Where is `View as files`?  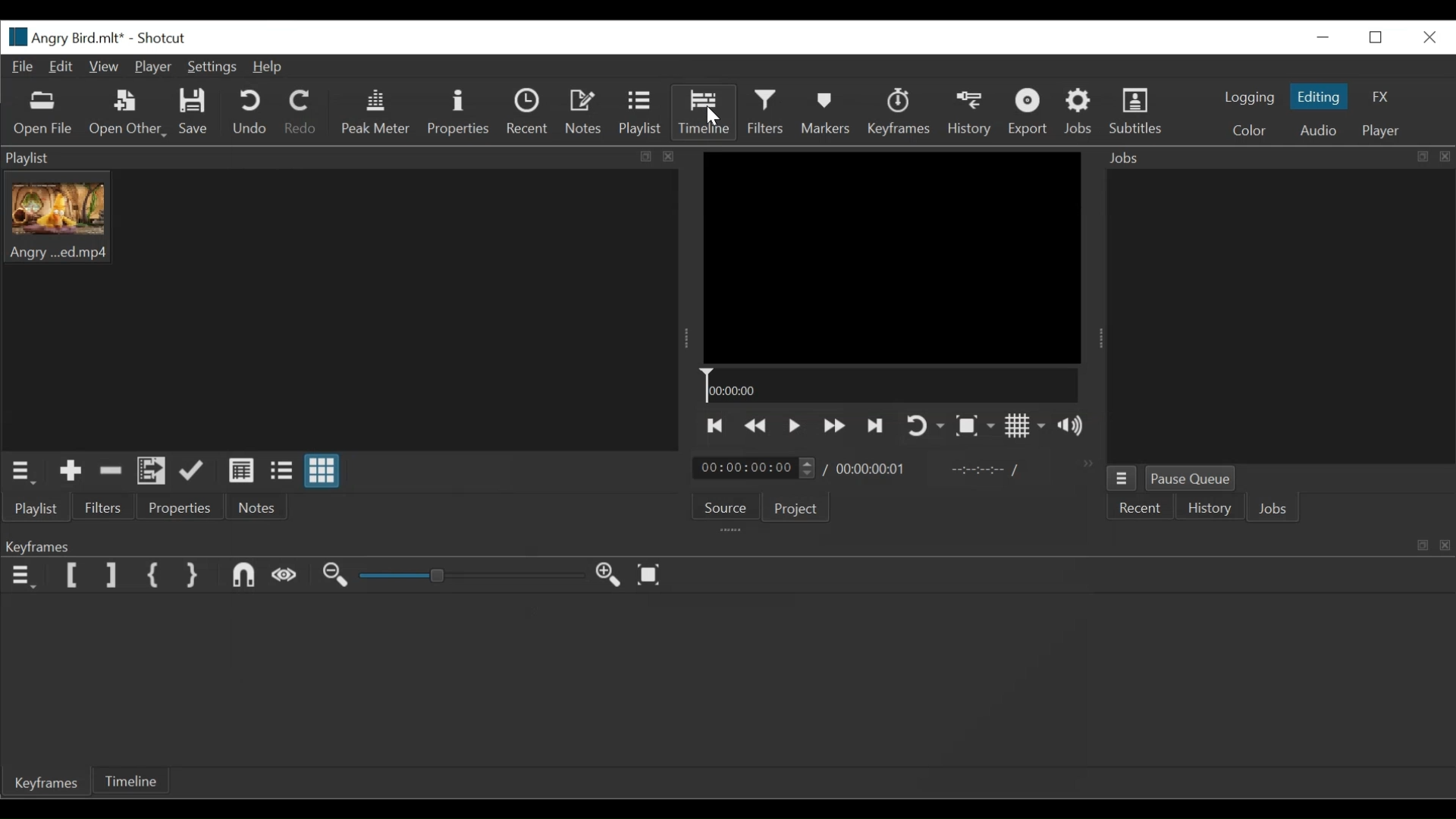 View as files is located at coordinates (283, 470).